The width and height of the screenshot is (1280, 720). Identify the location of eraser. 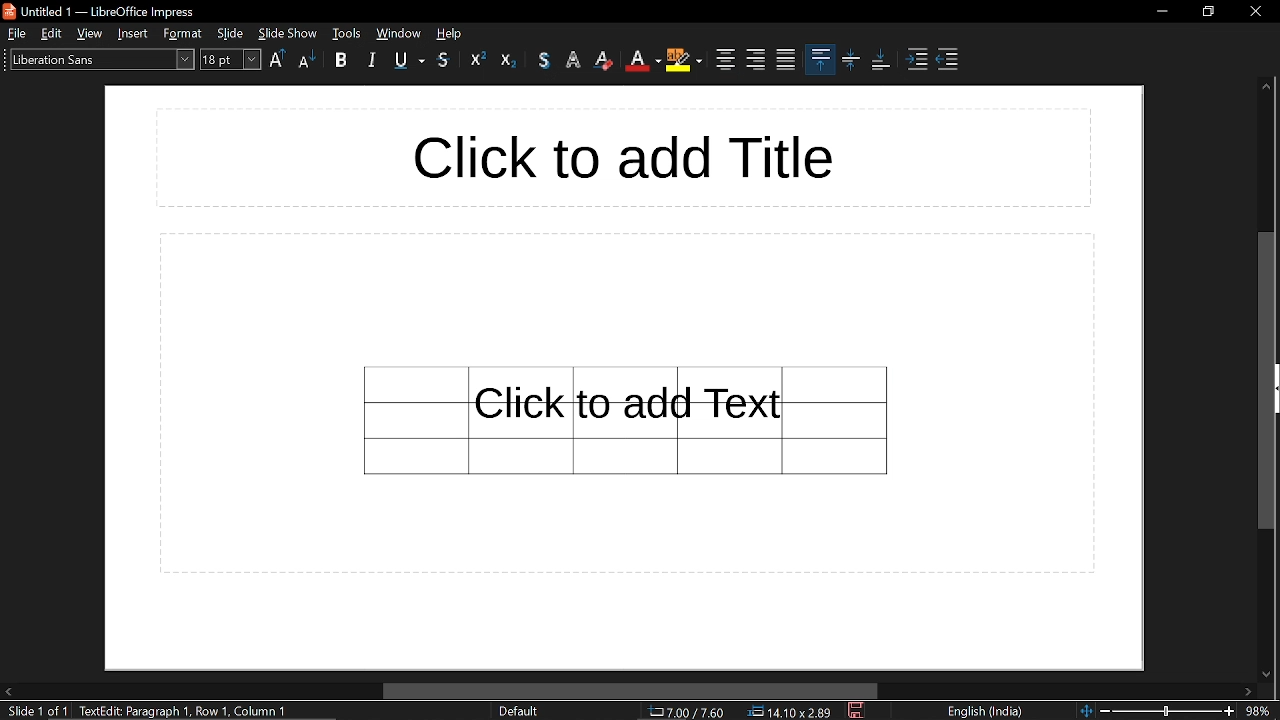
(606, 60).